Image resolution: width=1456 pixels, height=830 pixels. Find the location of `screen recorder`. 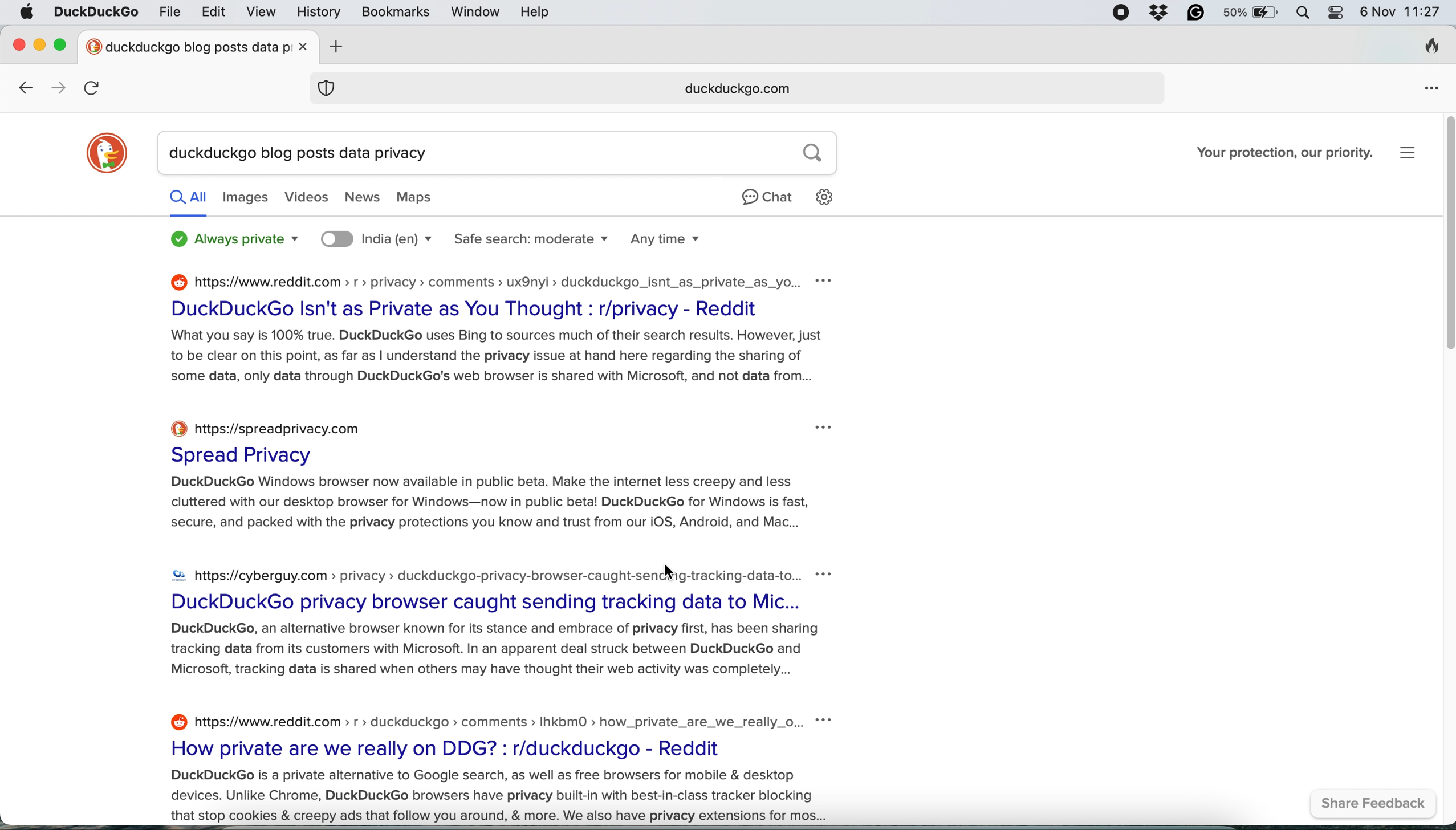

screen recorder is located at coordinates (1121, 14).